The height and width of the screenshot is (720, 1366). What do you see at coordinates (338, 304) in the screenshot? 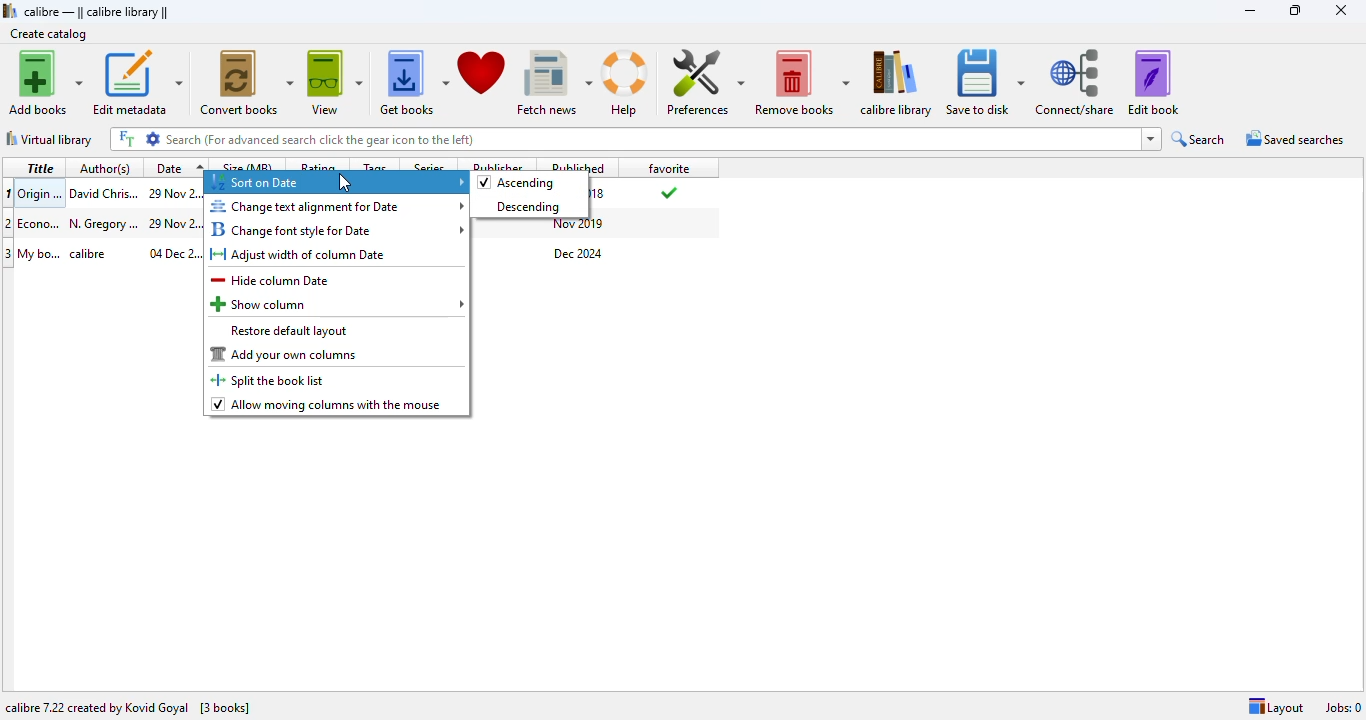
I see `show column` at bounding box center [338, 304].